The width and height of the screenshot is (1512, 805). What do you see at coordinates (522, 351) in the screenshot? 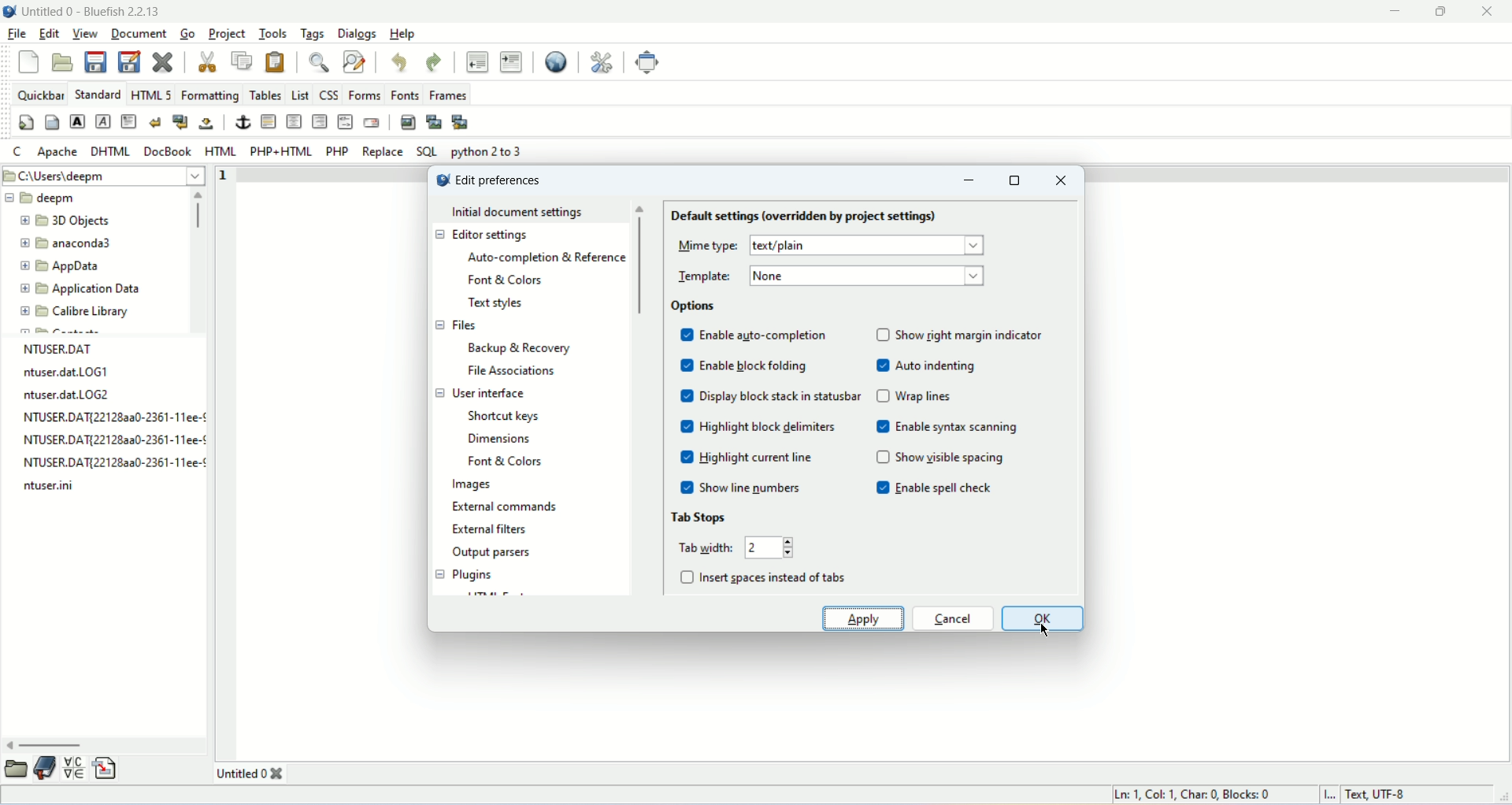
I see `backup and recovery` at bounding box center [522, 351].